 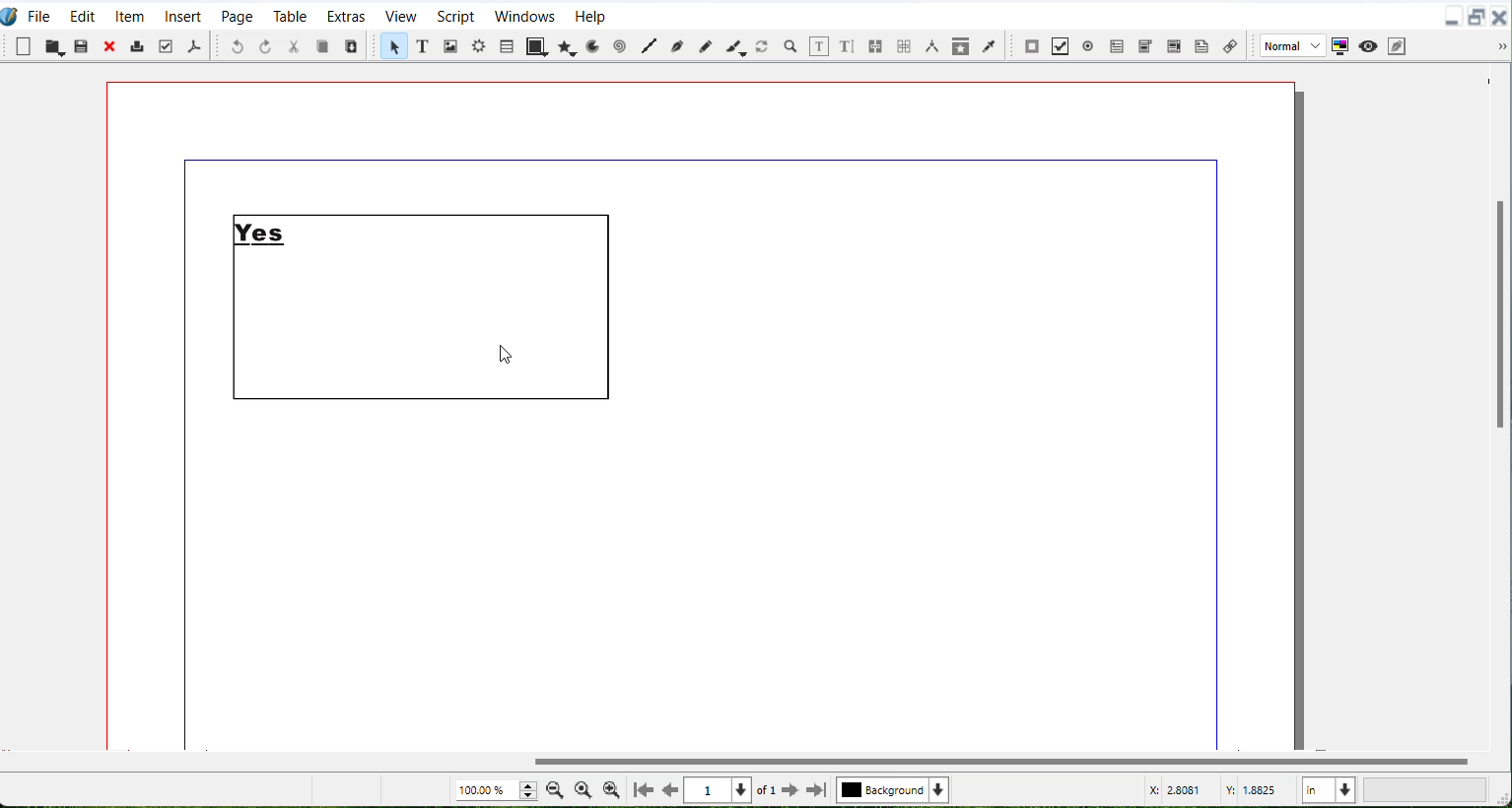 What do you see at coordinates (1174, 44) in the screenshot?
I see `PDF Text Box` at bounding box center [1174, 44].